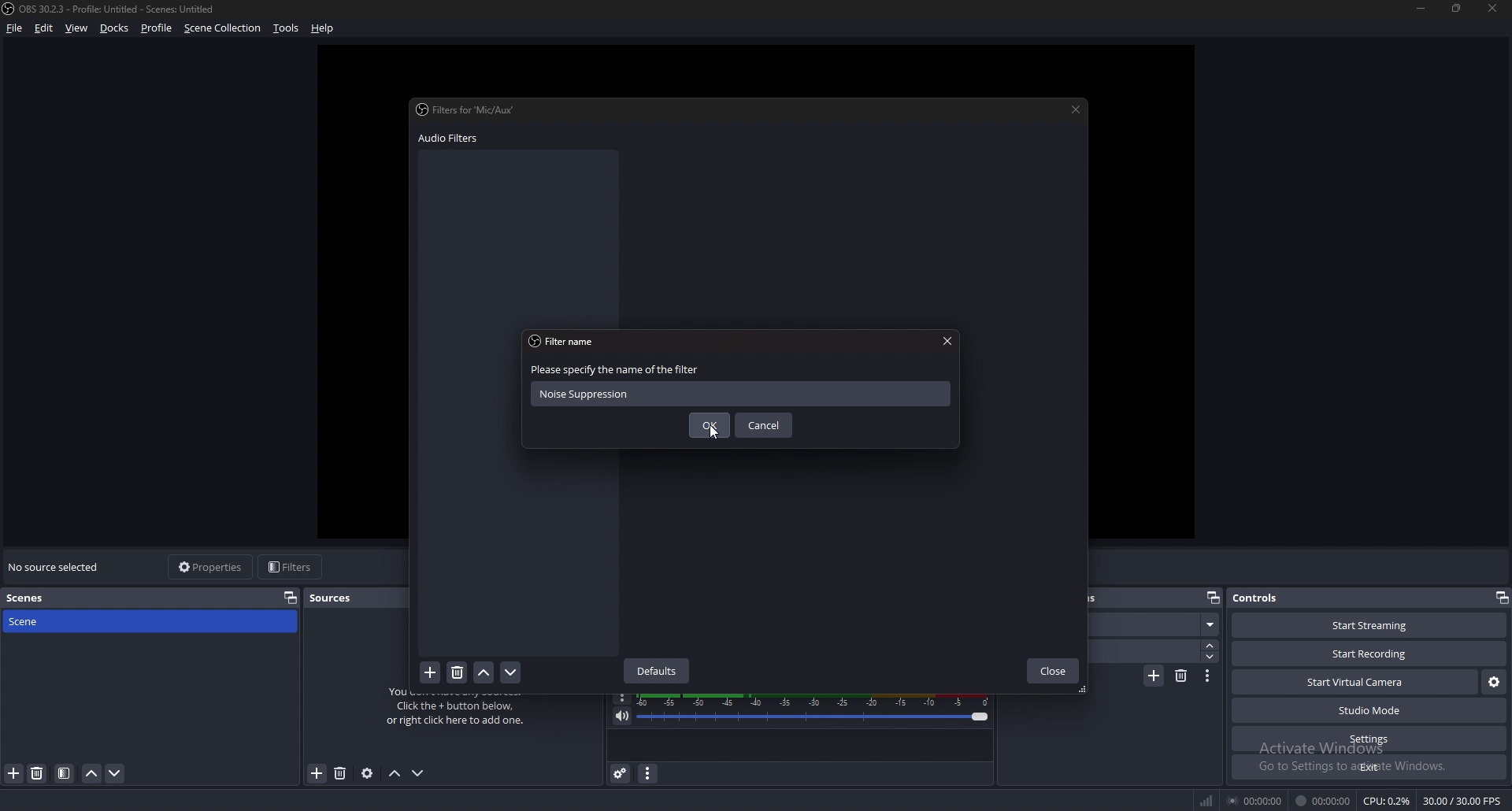 The image size is (1512, 811). What do you see at coordinates (285, 28) in the screenshot?
I see `tools` at bounding box center [285, 28].